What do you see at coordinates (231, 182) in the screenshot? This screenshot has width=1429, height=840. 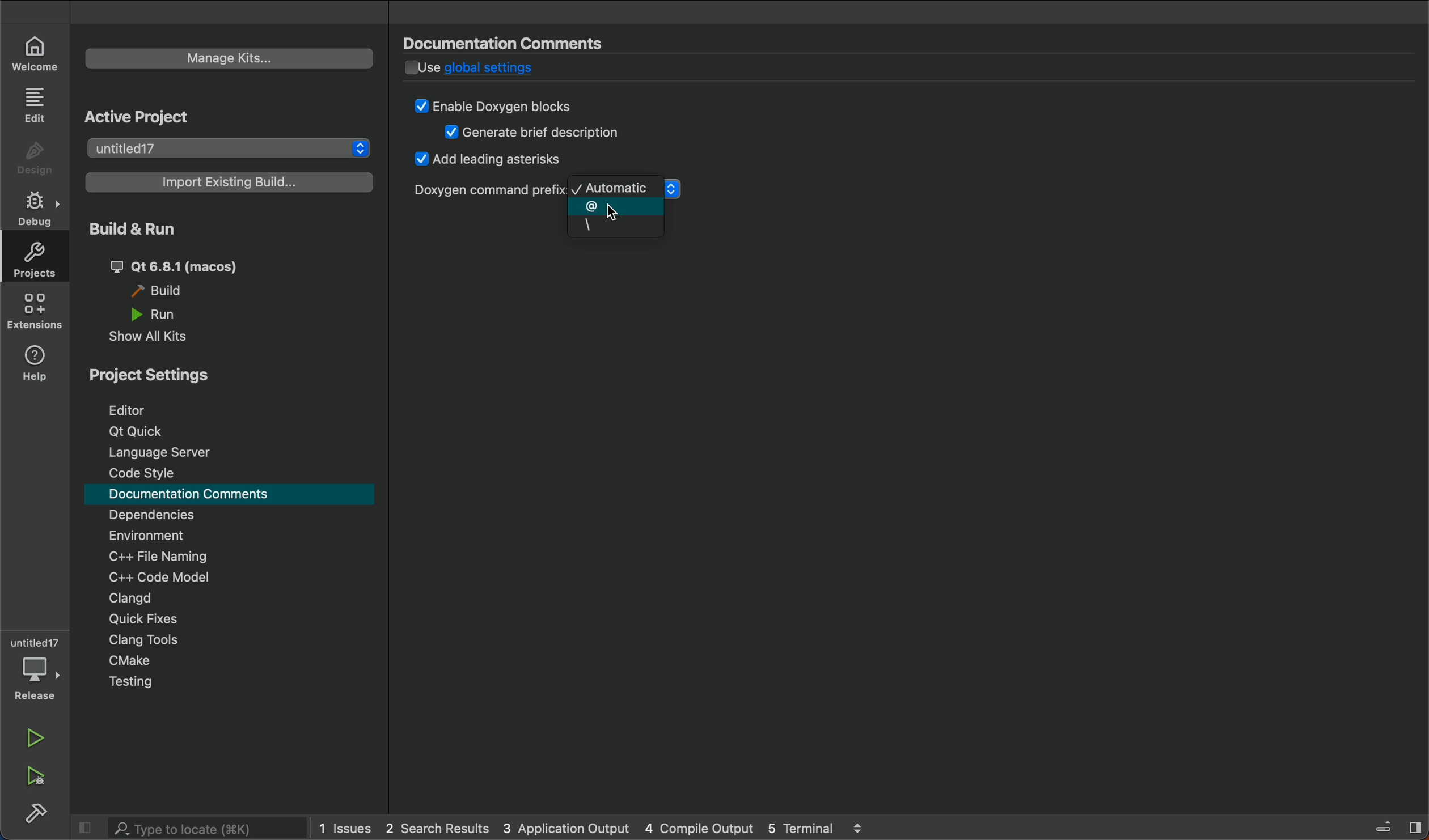 I see `import build` at bounding box center [231, 182].